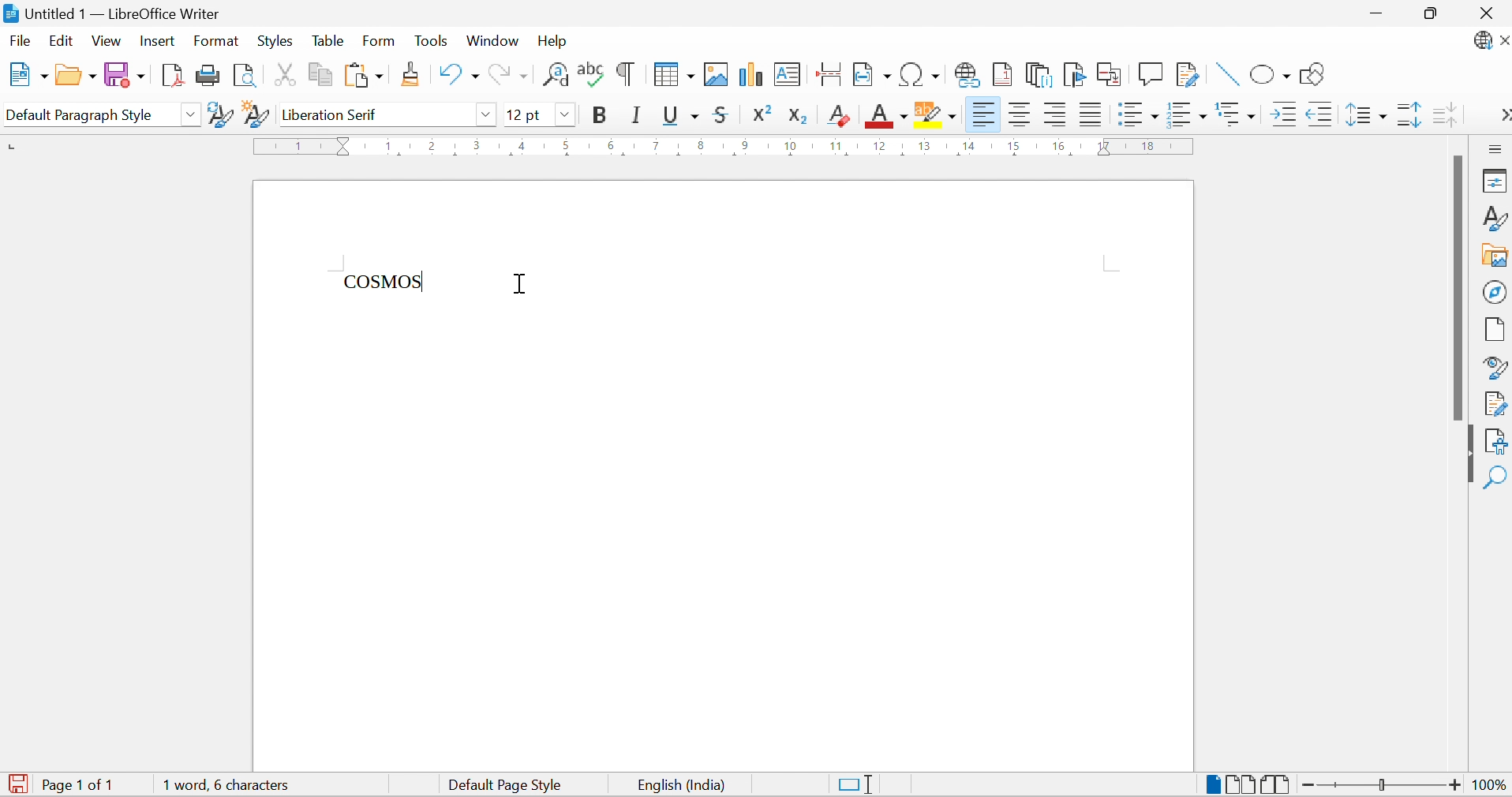 The height and width of the screenshot is (797, 1512). Describe the element at coordinates (1365, 115) in the screenshot. I see `Set Line Spacing` at that location.